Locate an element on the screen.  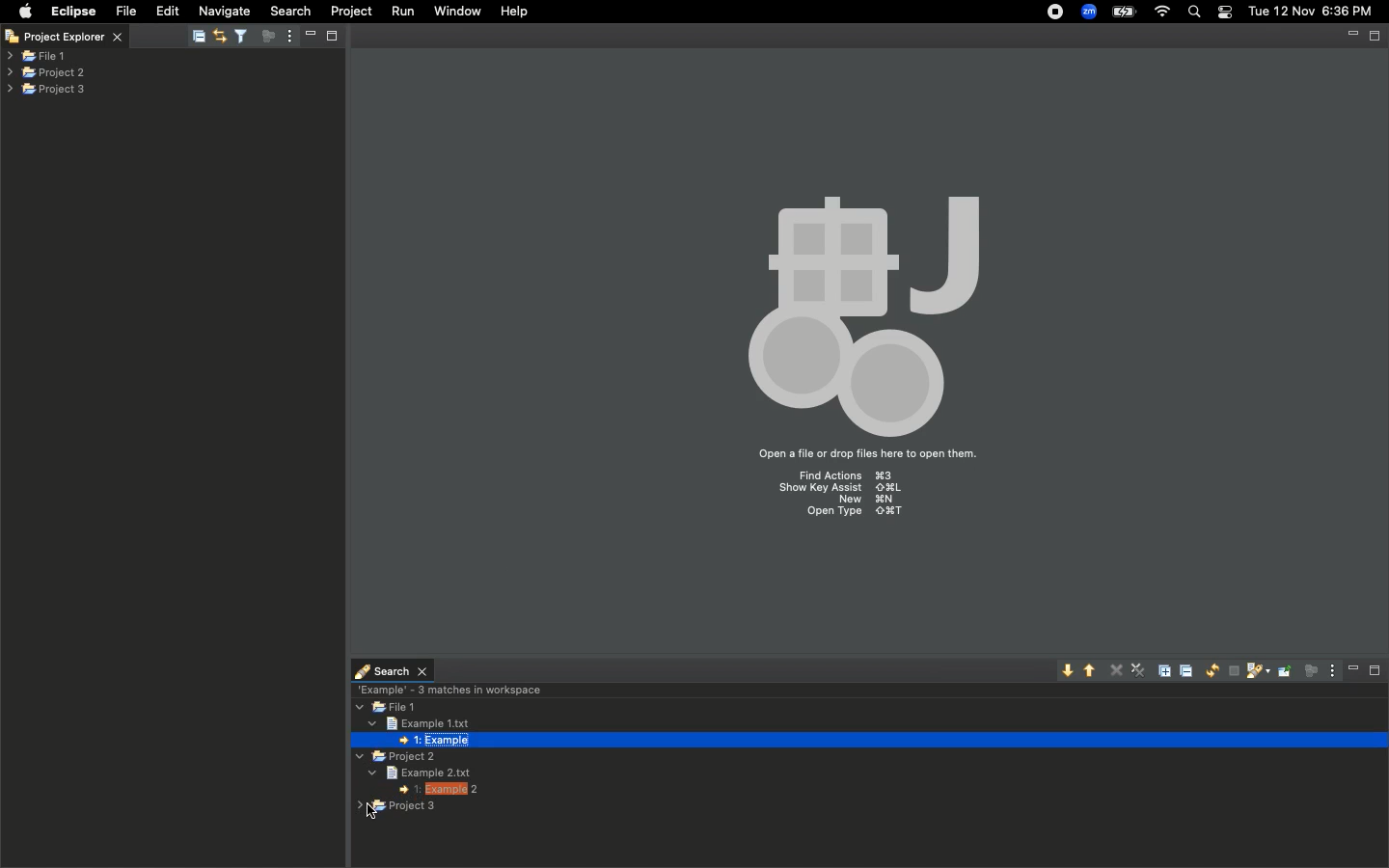
Focus on active tasks is located at coordinates (271, 40).